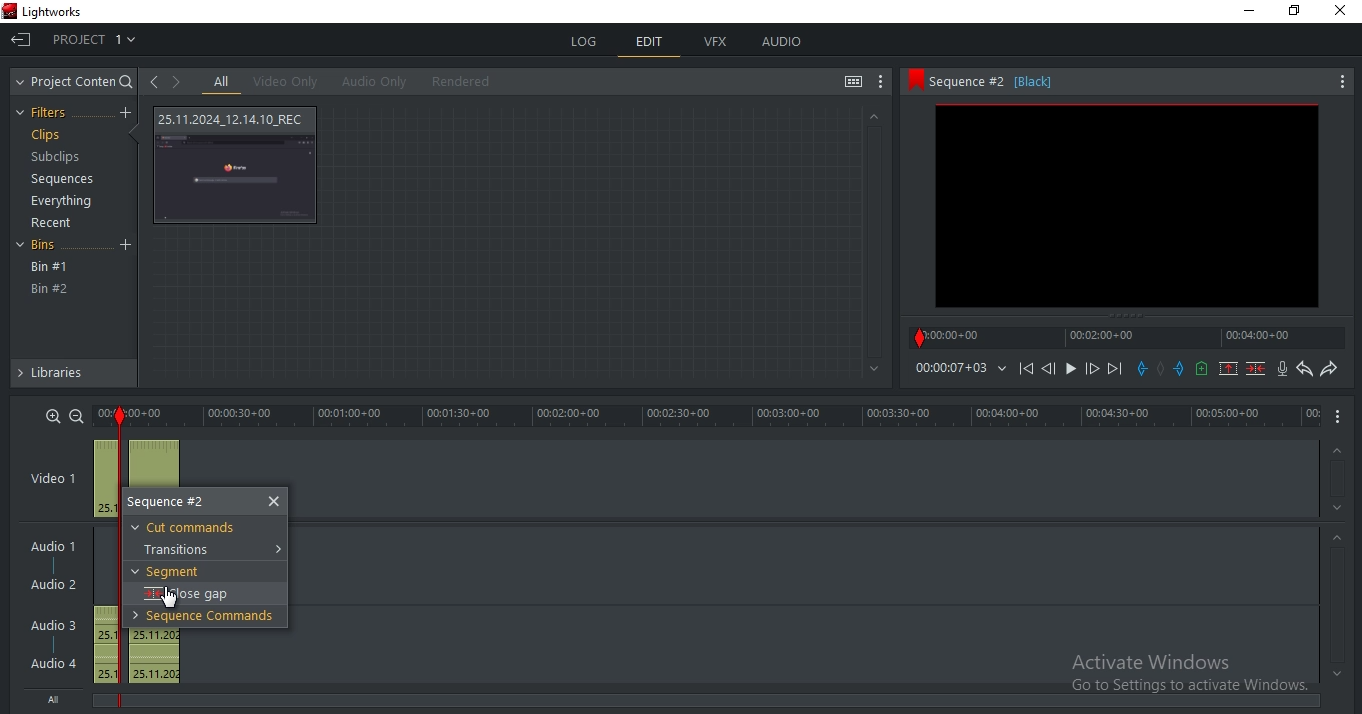 Image resolution: width=1362 pixels, height=714 pixels. Describe the element at coordinates (1189, 675) in the screenshot. I see `Active Windows` at that location.